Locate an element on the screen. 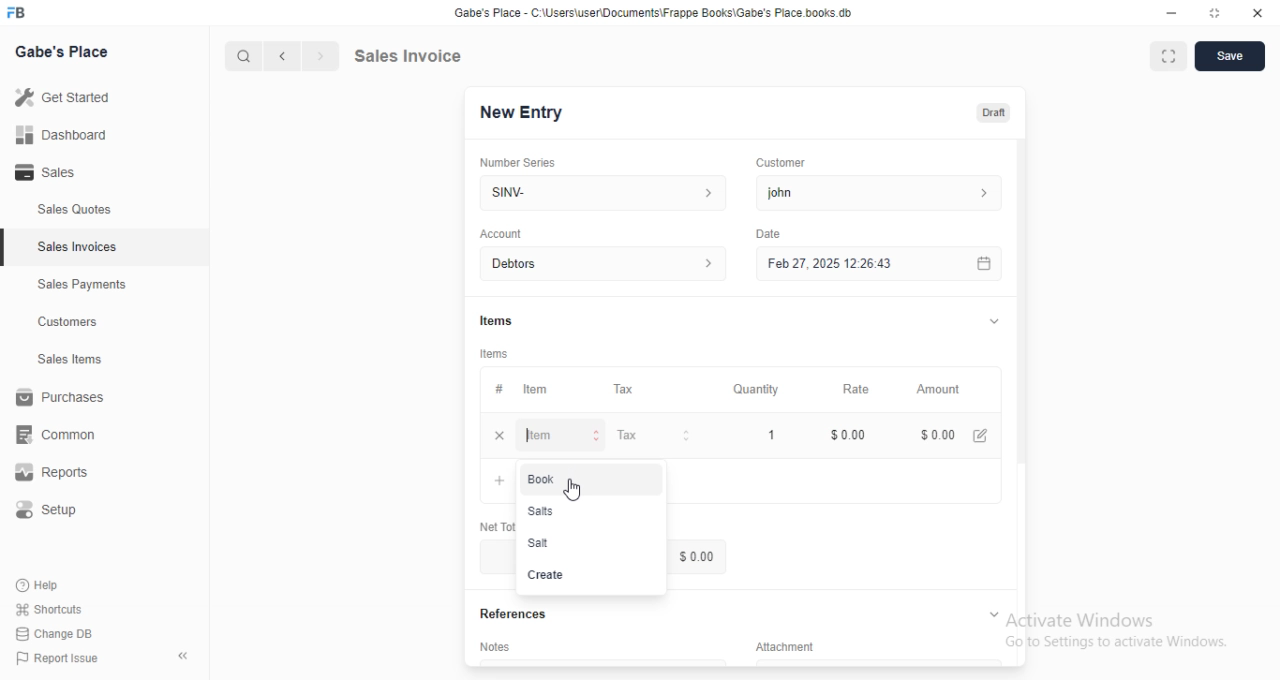 This screenshot has width=1280, height=680. Items is located at coordinates (496, 352).